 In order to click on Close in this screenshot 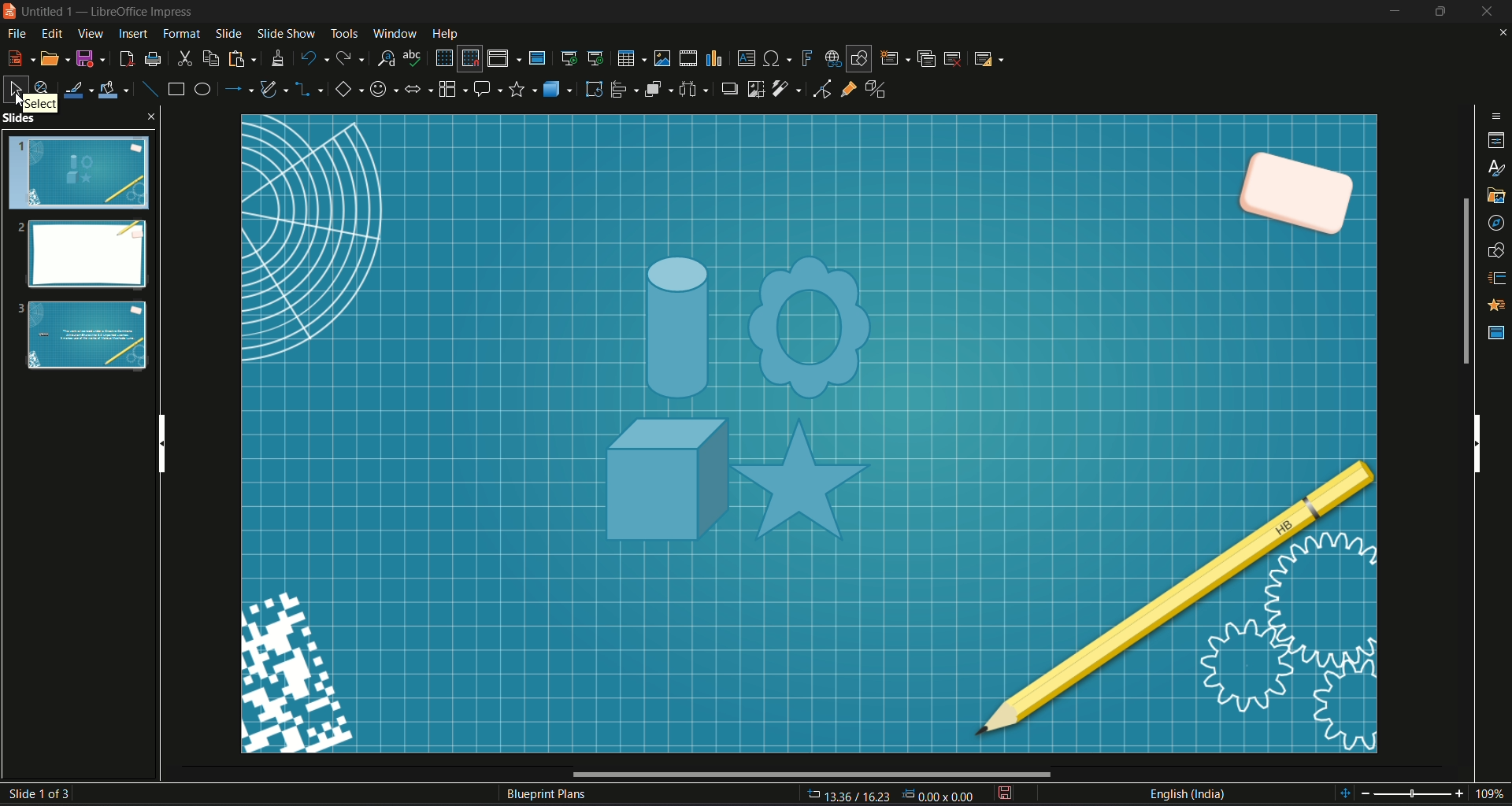, I will do `click(1488, 11)`.